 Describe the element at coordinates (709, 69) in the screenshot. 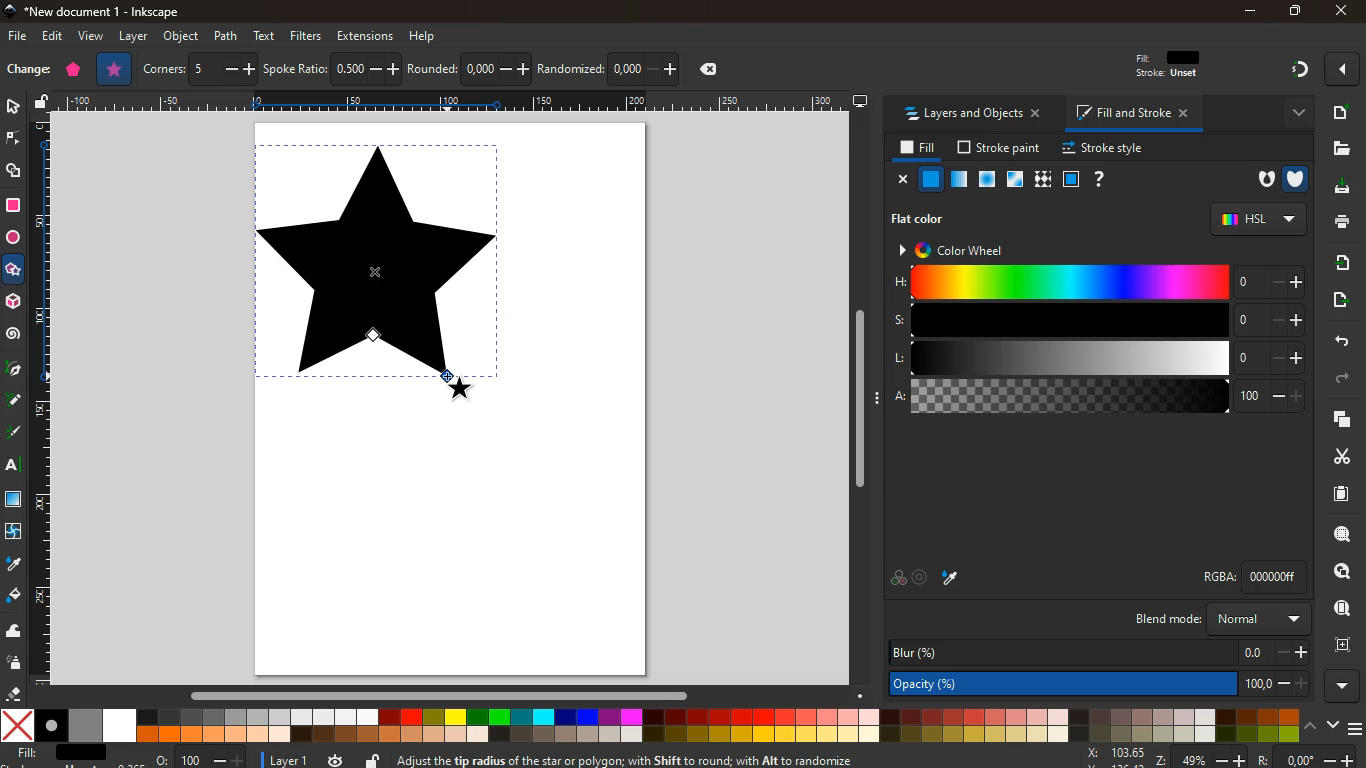

I see `delete` at that location.